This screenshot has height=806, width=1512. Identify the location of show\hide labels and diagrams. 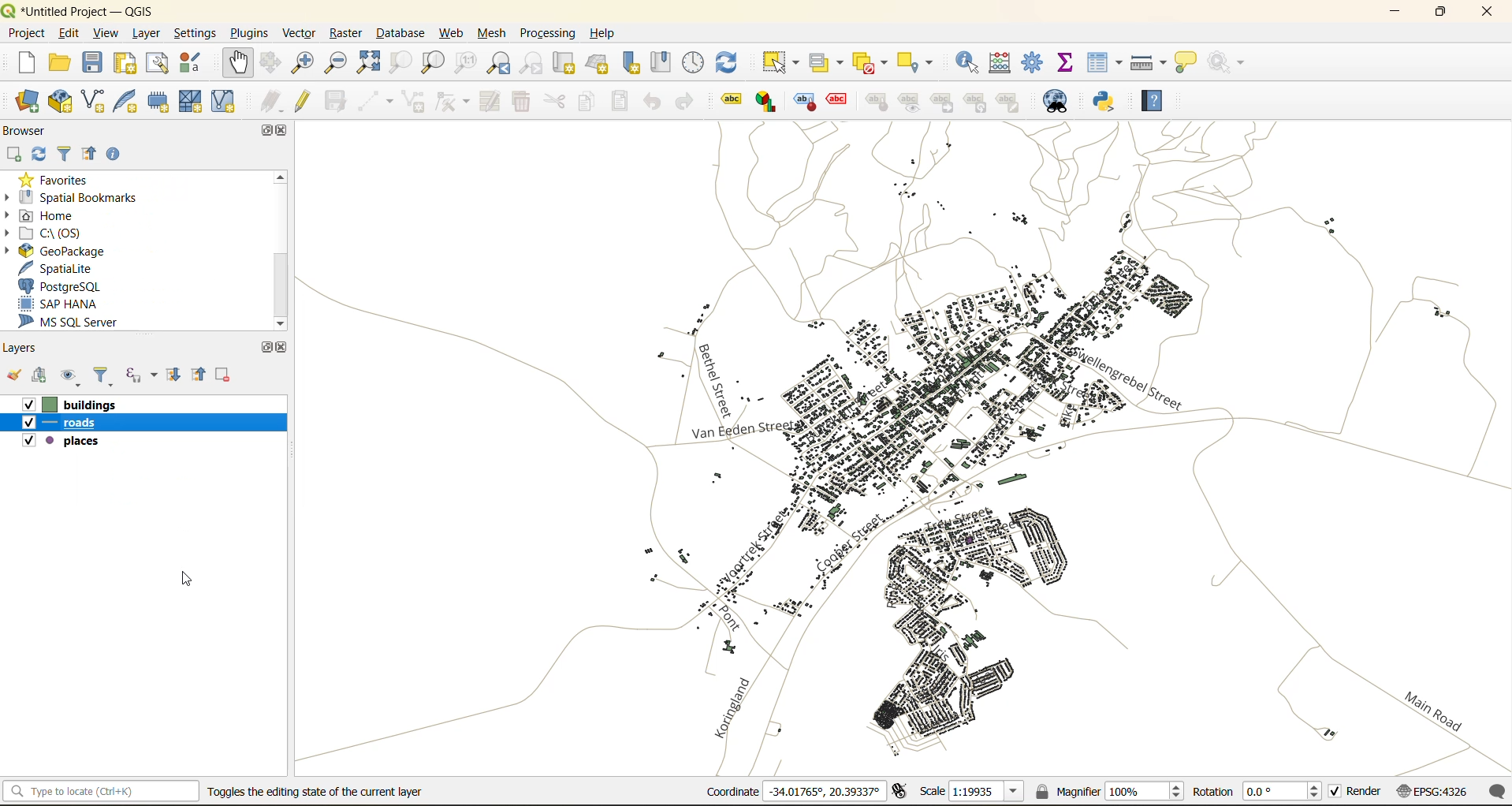
(910, 102).